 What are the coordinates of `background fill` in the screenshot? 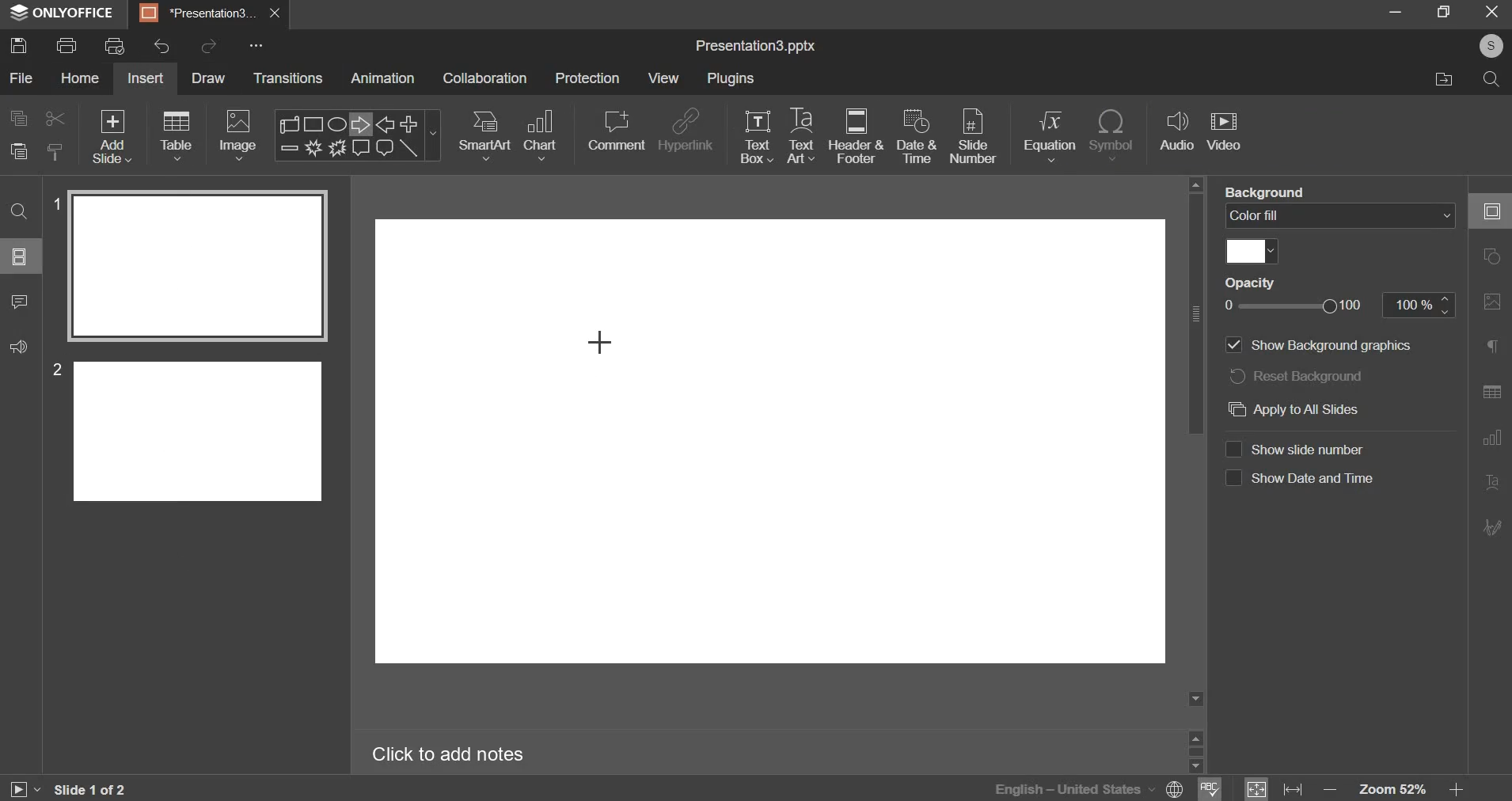 It's located at (1340, 214).